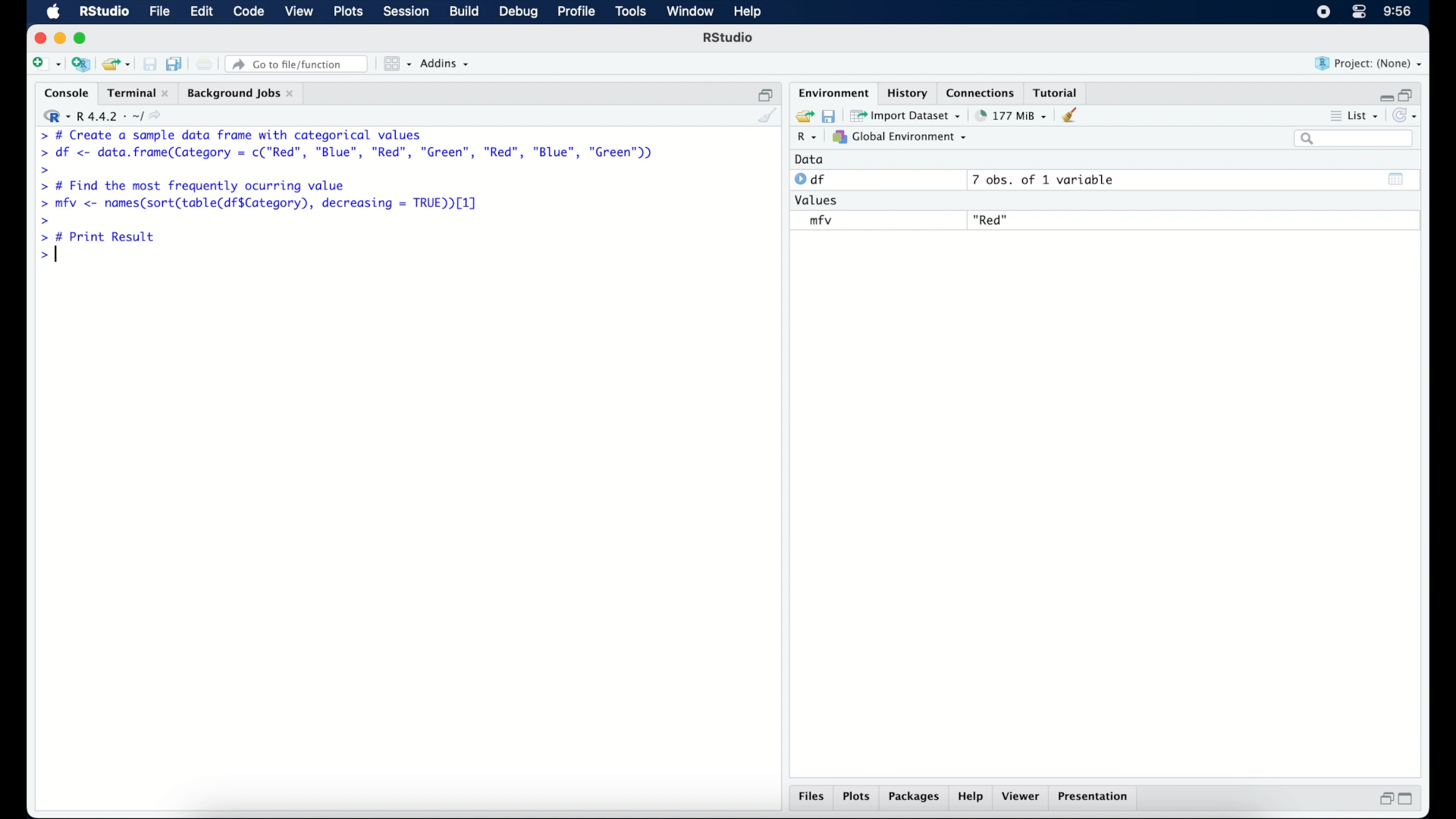 This screenshot has height=819, width=1456. I want to click on build, so click(465, 12).